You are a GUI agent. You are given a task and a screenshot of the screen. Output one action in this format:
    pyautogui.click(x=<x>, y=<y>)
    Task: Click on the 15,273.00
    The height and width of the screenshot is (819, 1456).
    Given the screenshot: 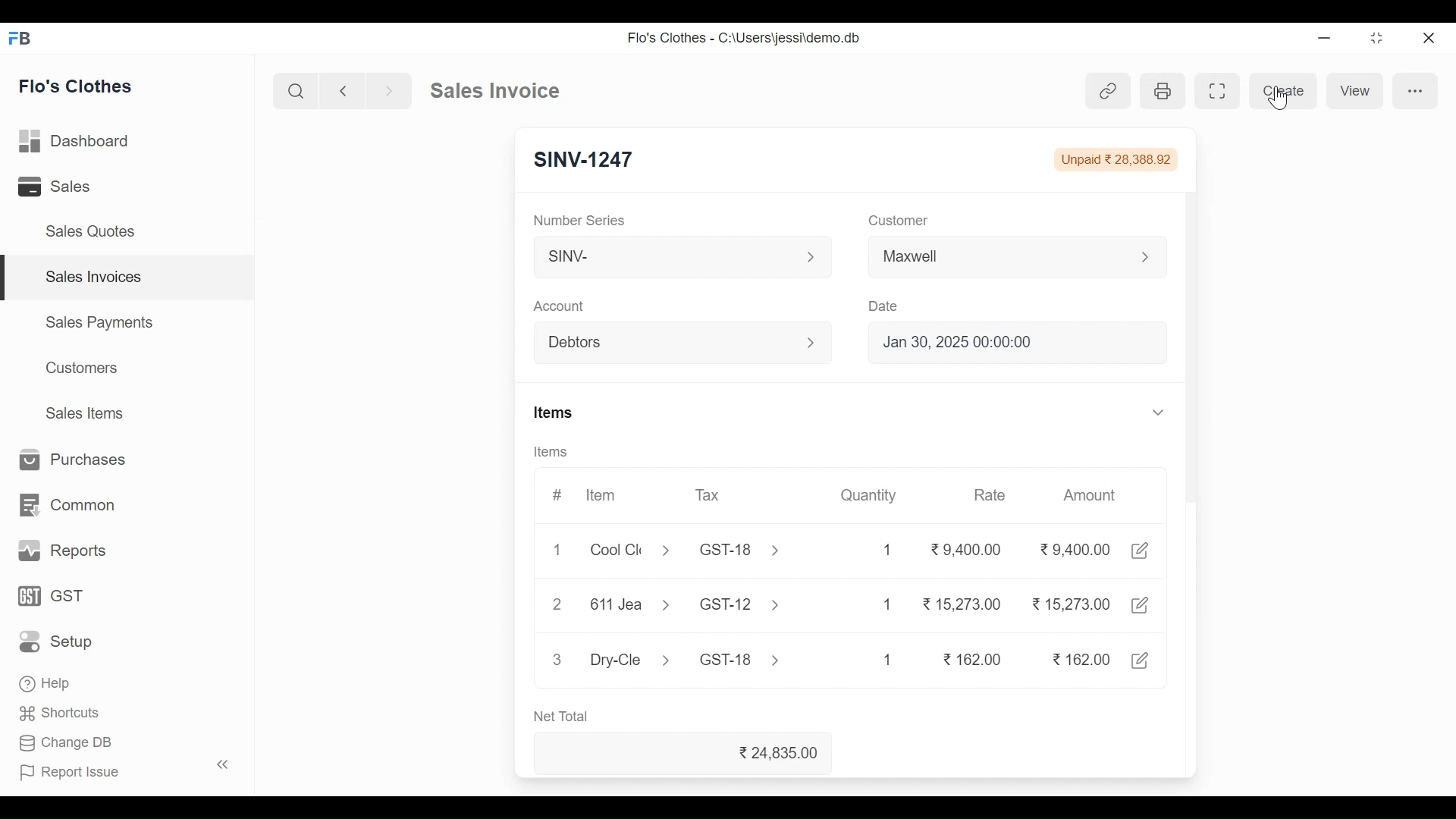 What is the action you would take?
    pyautogui.click(x=962, y=603)
    